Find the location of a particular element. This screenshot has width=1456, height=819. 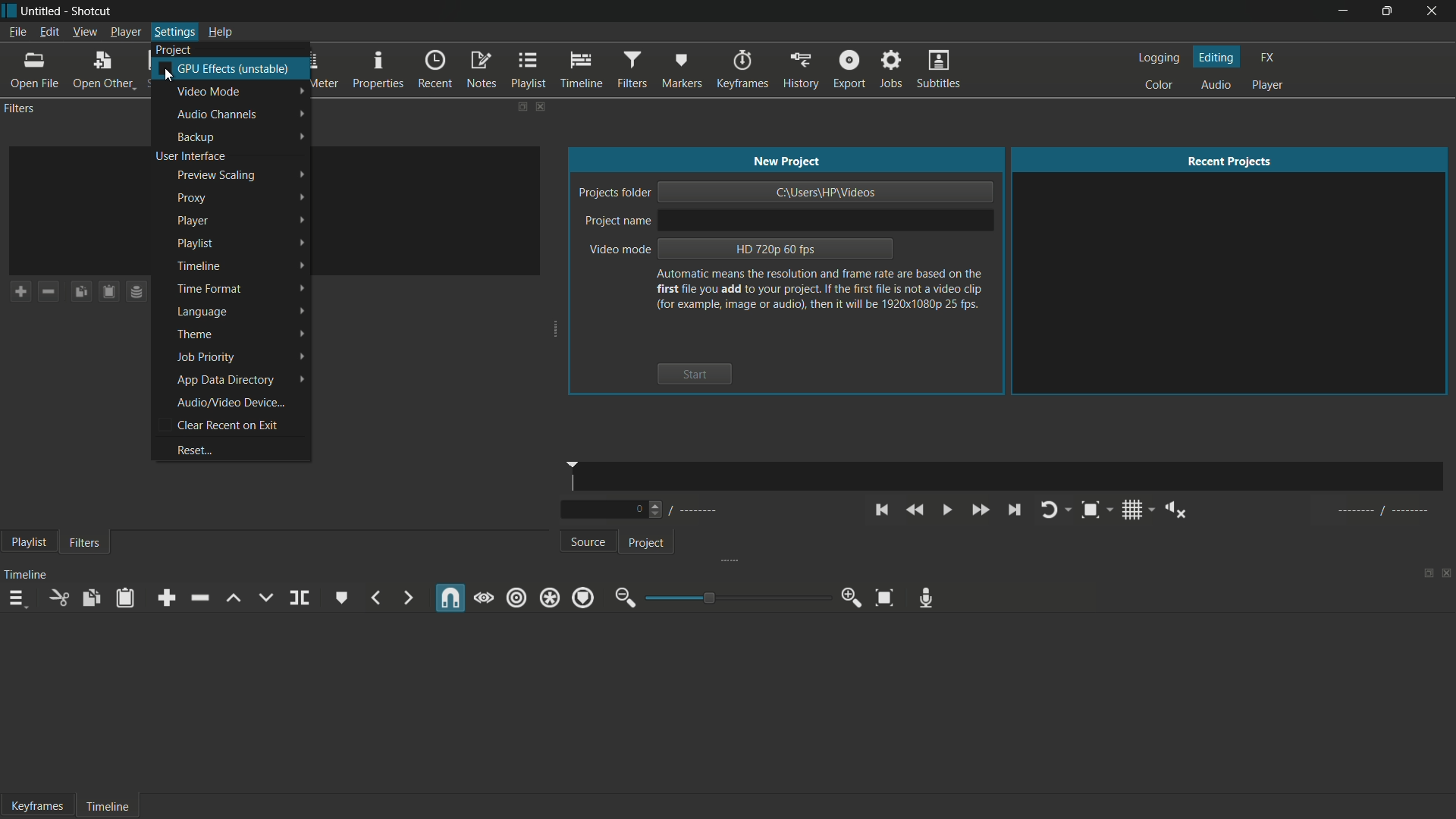

skip to the previous point is located at coordinates (881, 510).